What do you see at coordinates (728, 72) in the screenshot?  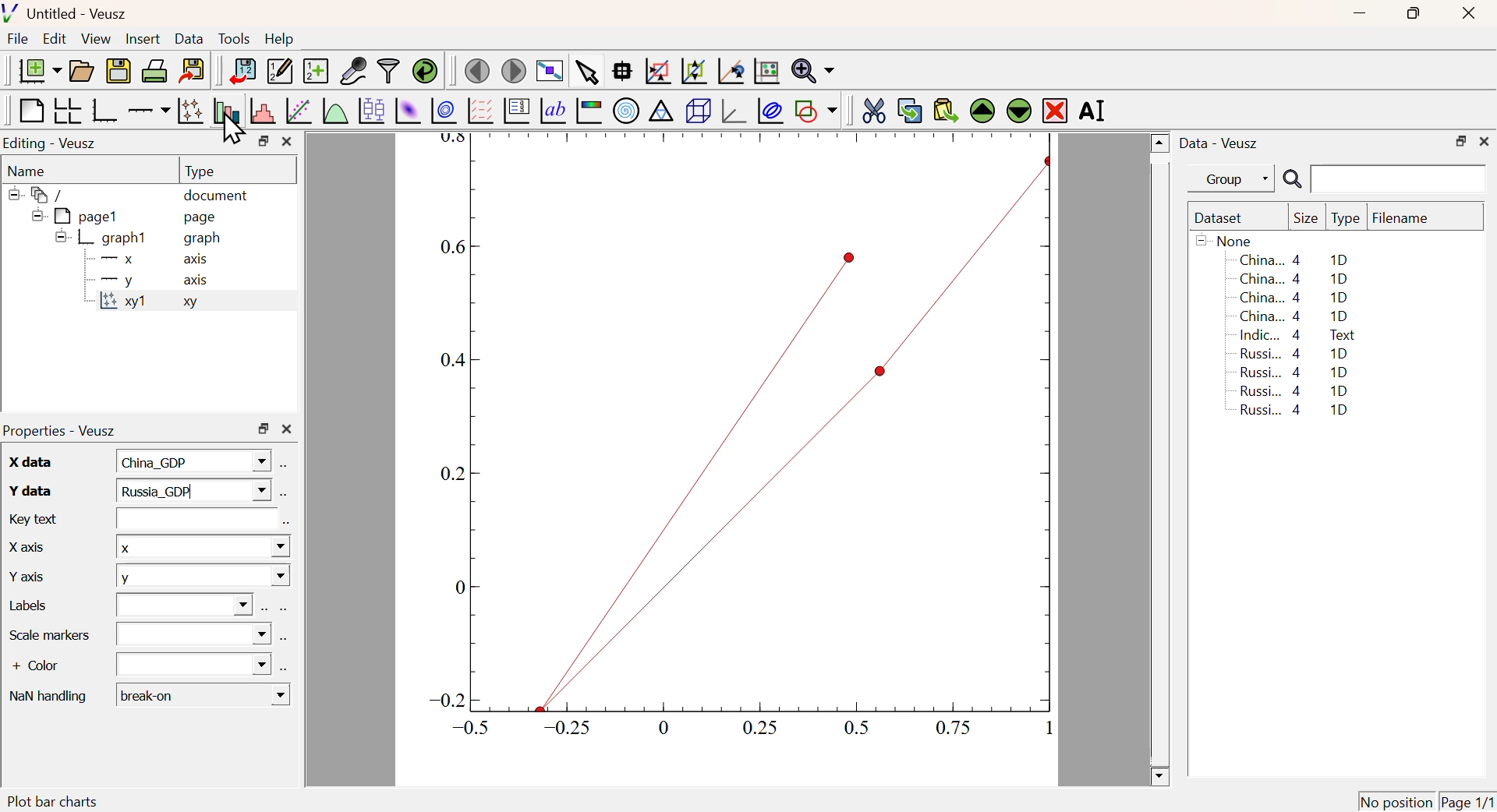 I see `Click to reset graph axes` at bounding box center [728, 72].